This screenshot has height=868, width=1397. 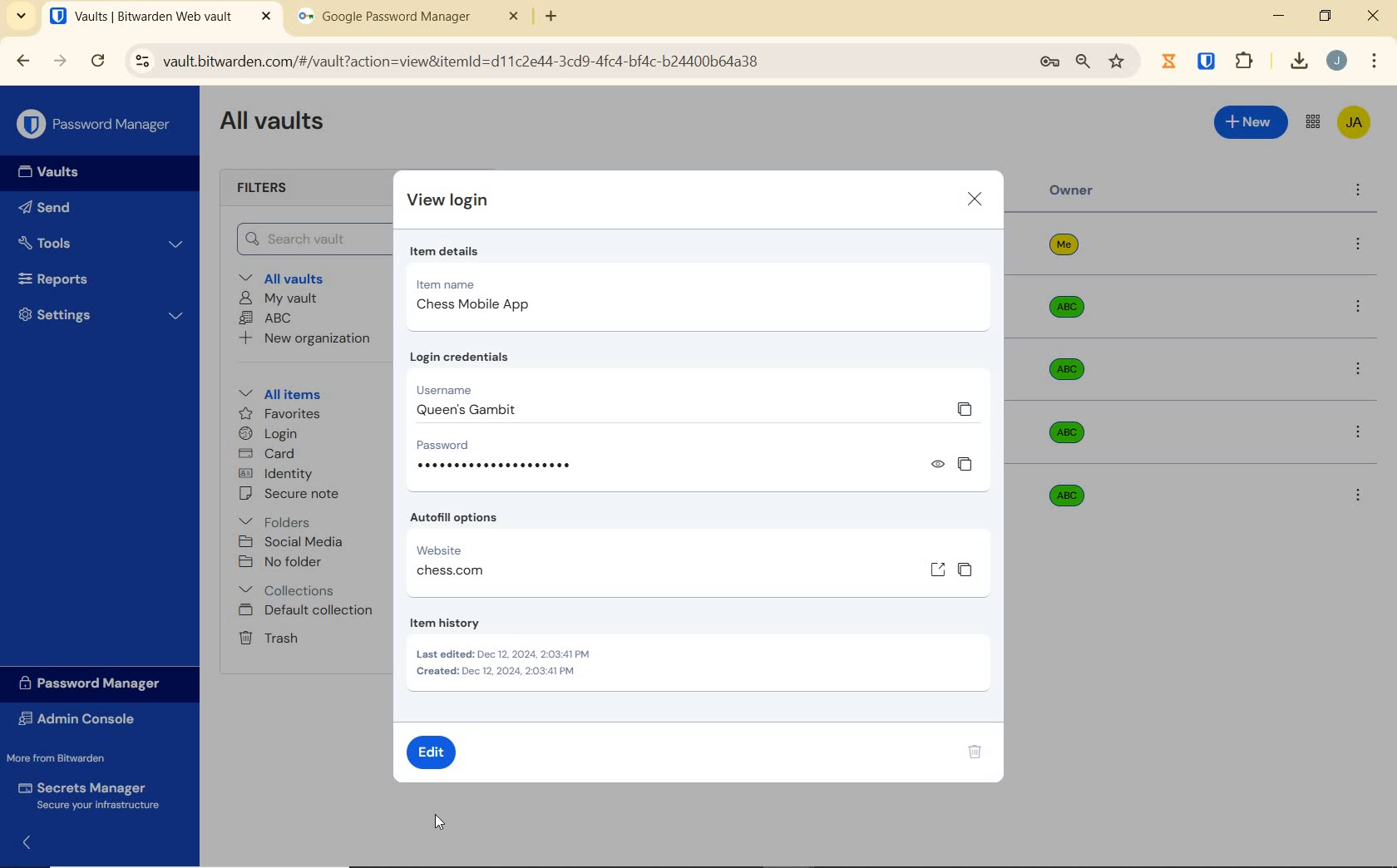 What do you see at coordinates (468, 623) in the screenshot?
I see `item history` at bounding box center [468, 623].